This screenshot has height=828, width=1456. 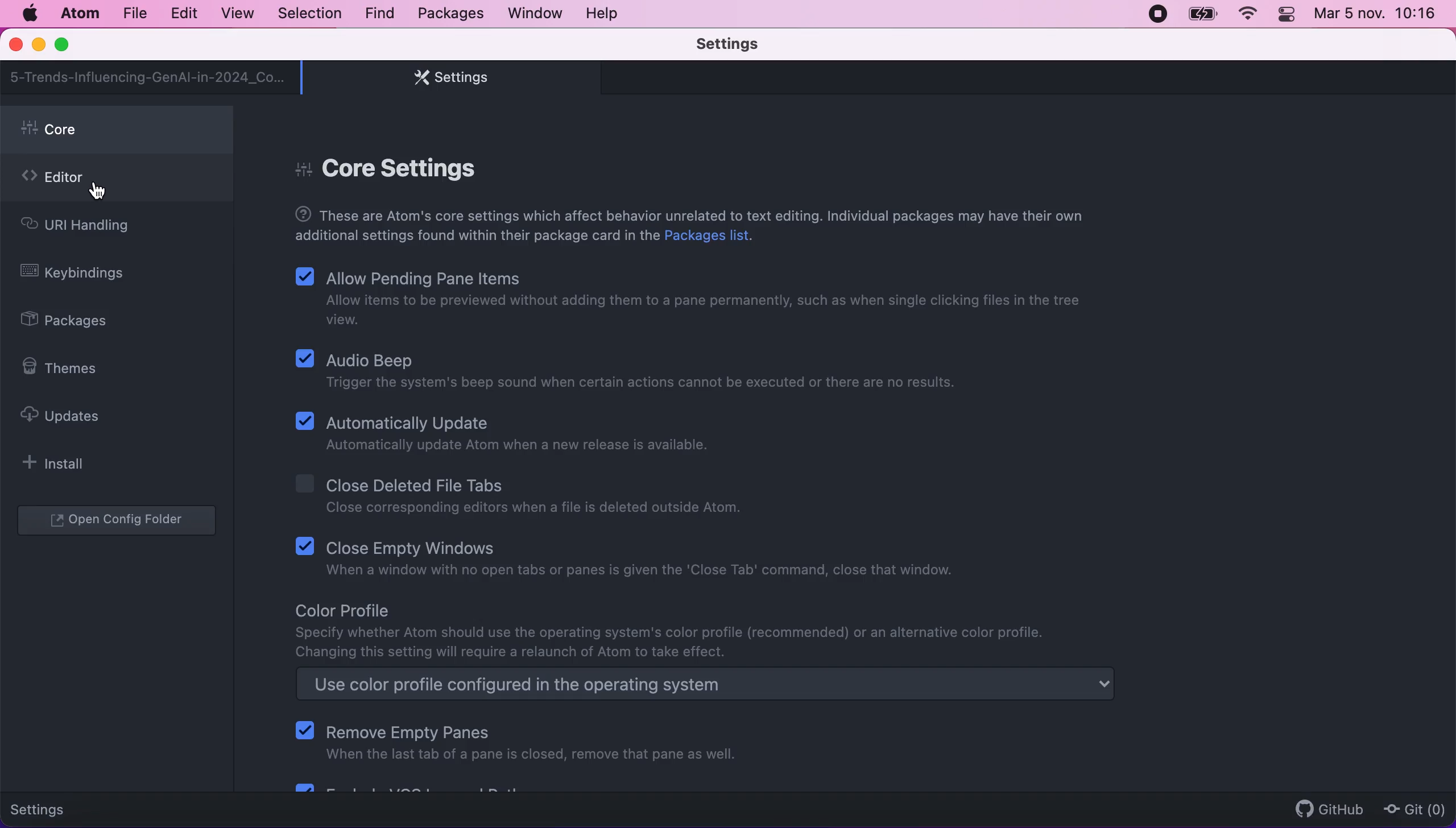 I want to click on core settings, so click(x=393, y=162).